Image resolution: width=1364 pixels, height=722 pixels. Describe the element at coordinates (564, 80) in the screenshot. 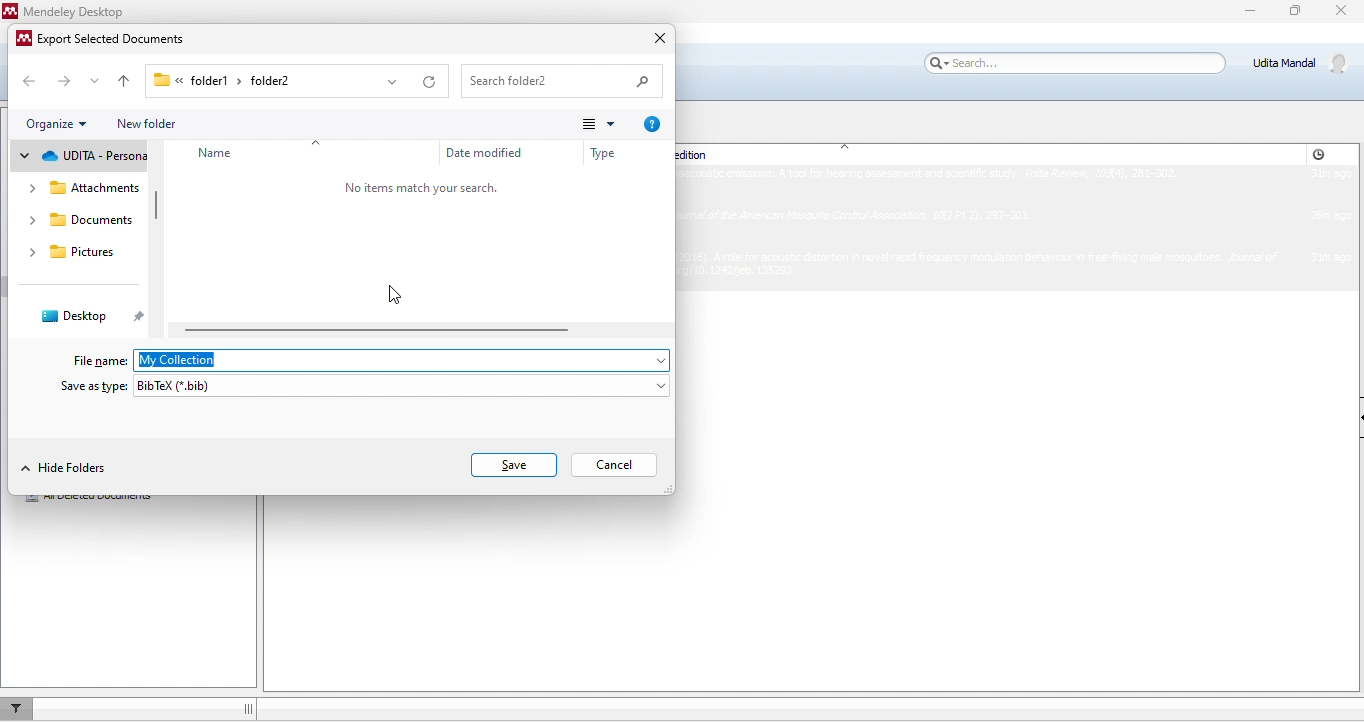

I see `search` at that location.